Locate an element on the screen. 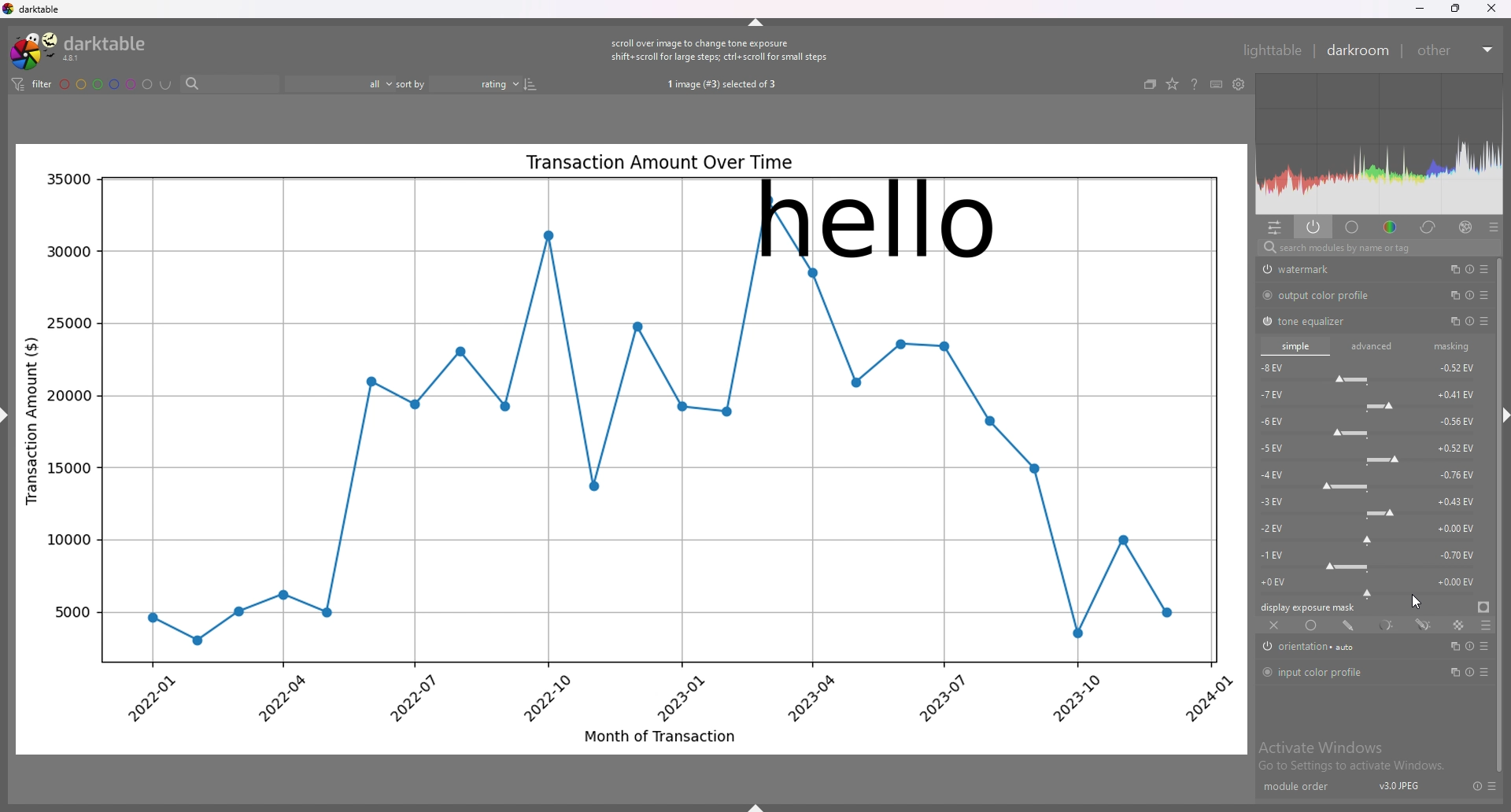 The image size is (1511, 812). -2 EV force is located at coordinates (1372, 532).